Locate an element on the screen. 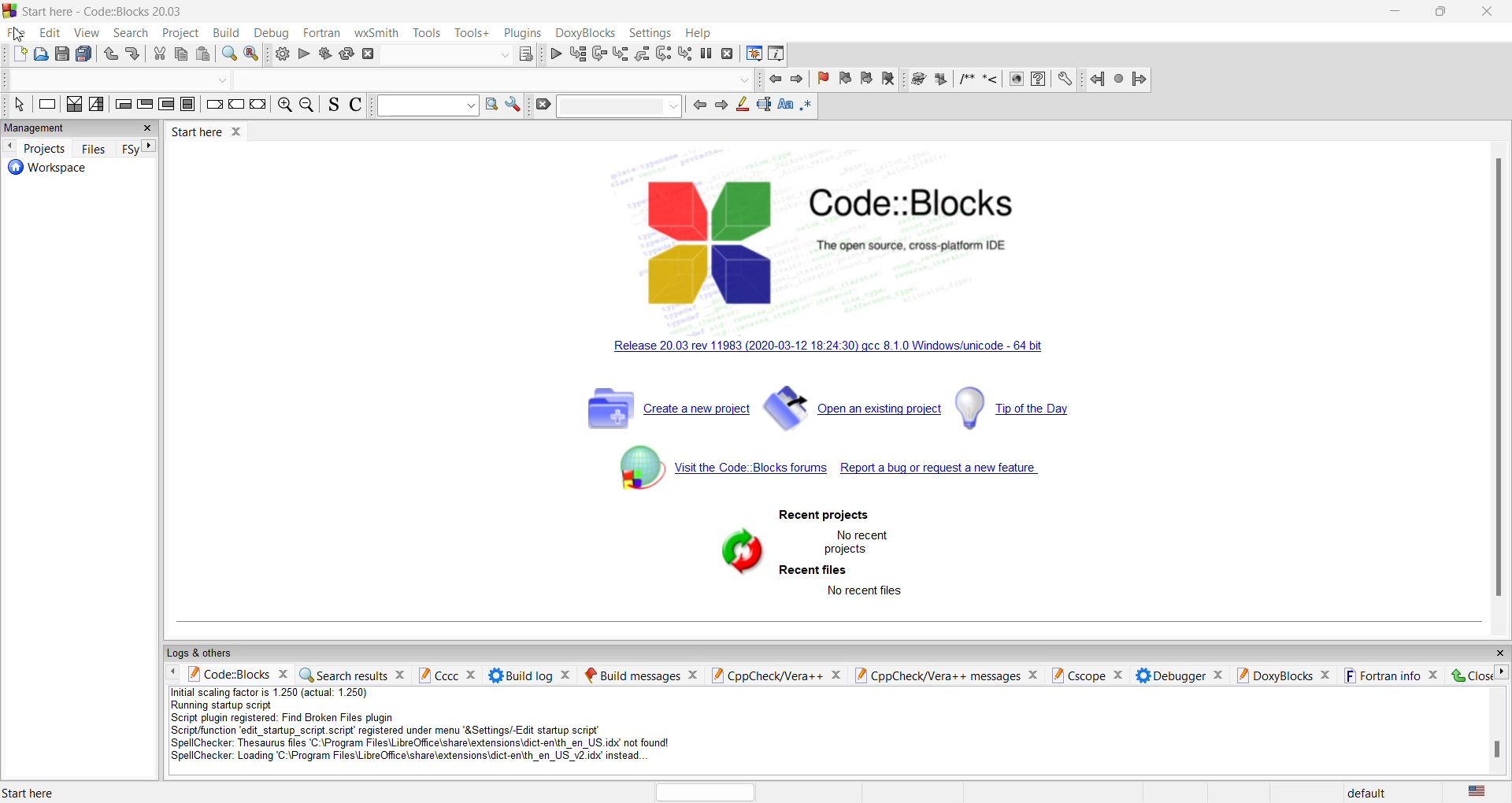 This screenshot has width=1512, height=803. edit is located at coordinates (20, 34).